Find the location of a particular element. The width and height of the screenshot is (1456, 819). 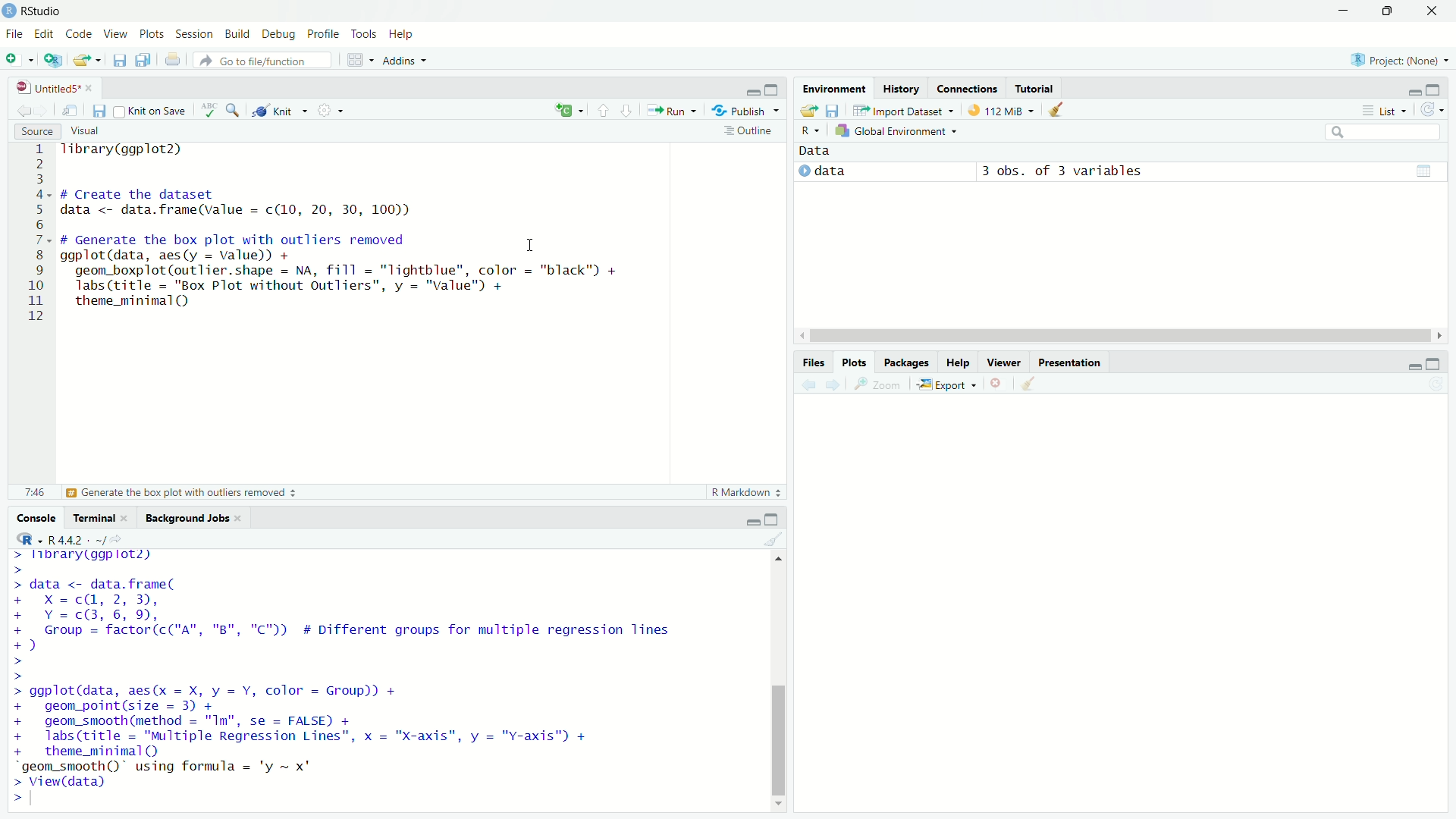

add is located at coordinates (557, 111).